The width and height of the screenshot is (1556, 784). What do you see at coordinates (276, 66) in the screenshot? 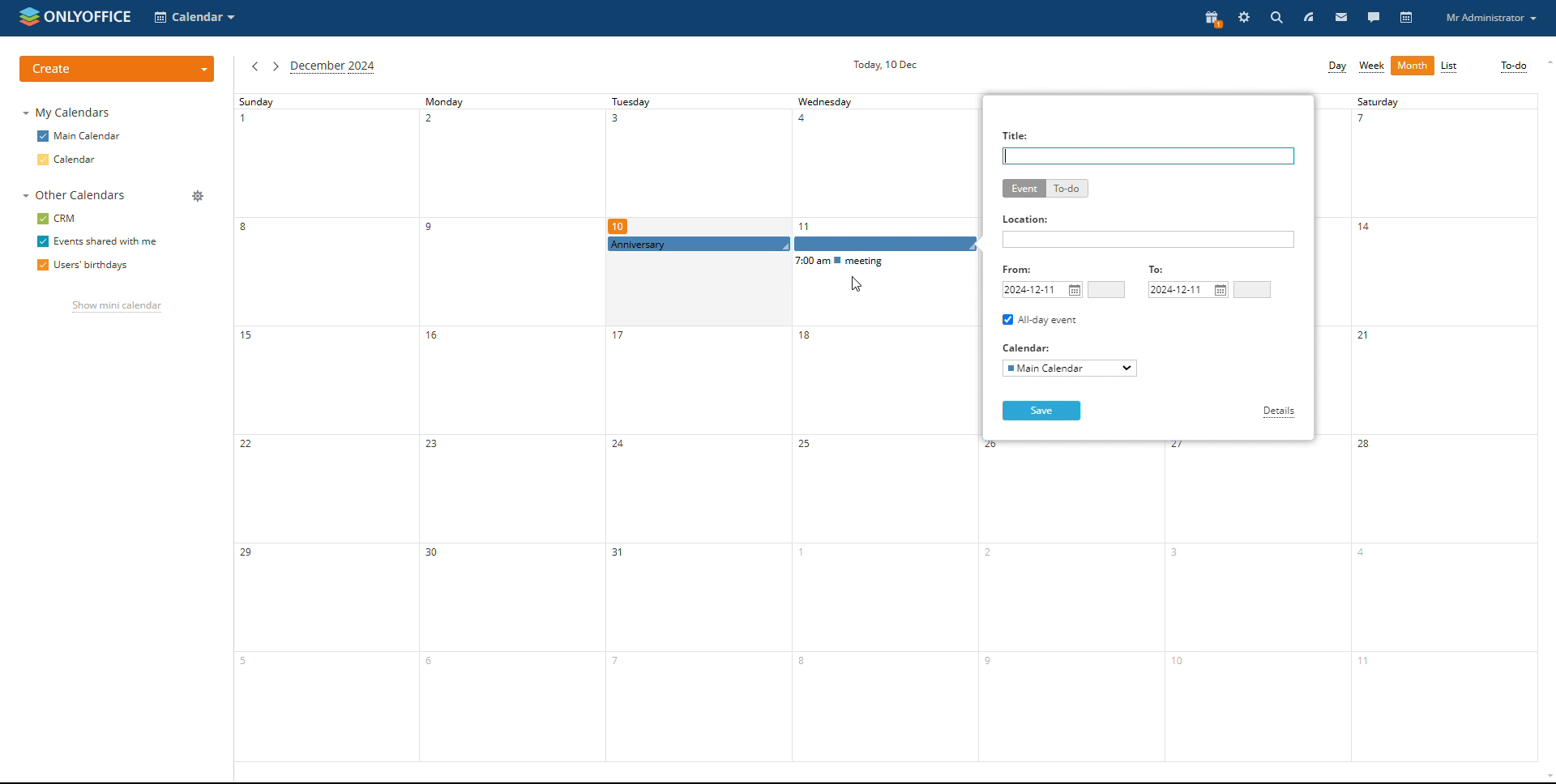
I see `next month` at bounding box center [276, 66].